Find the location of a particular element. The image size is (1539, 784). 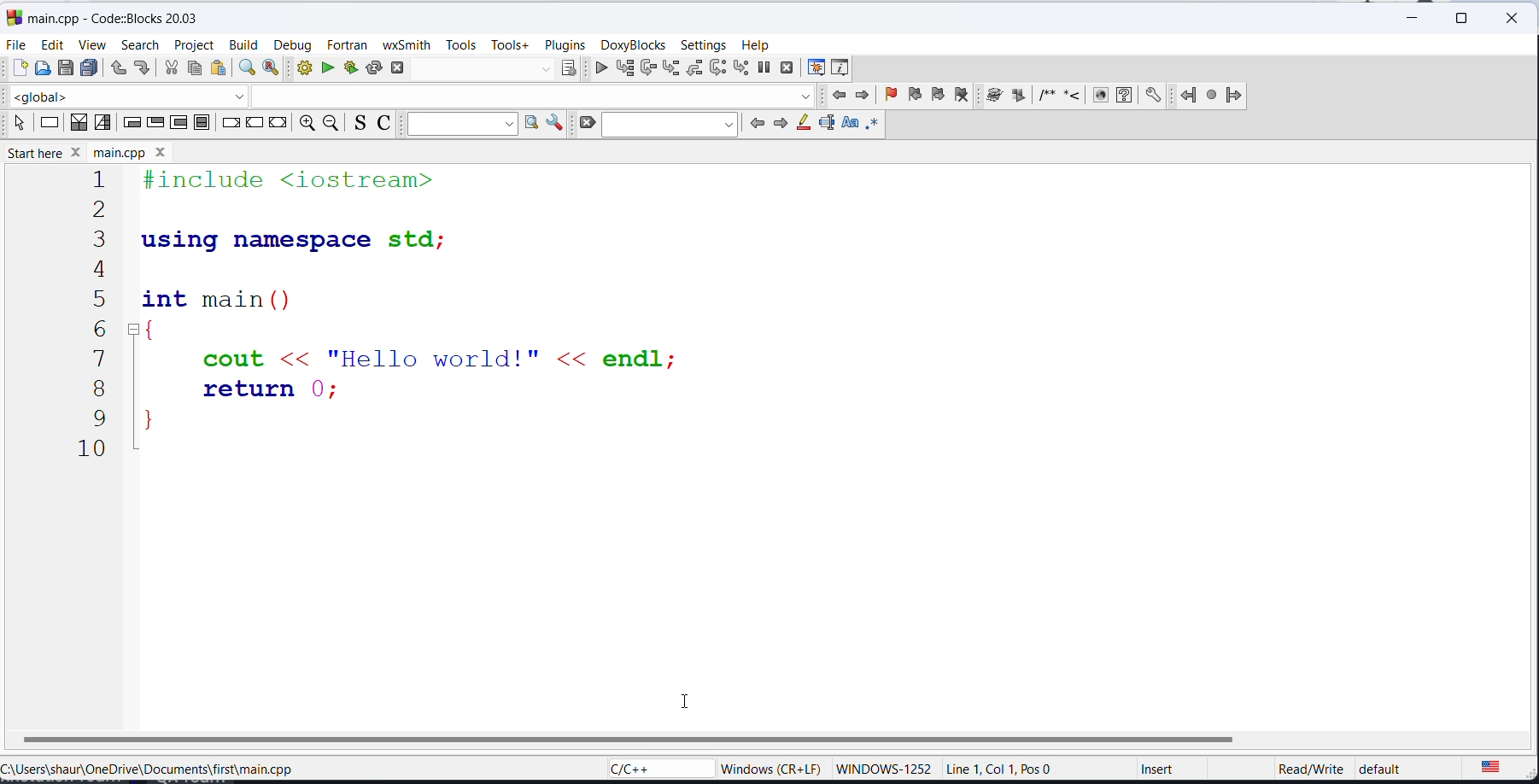

continue instruction is located at coordinates (254, 125).